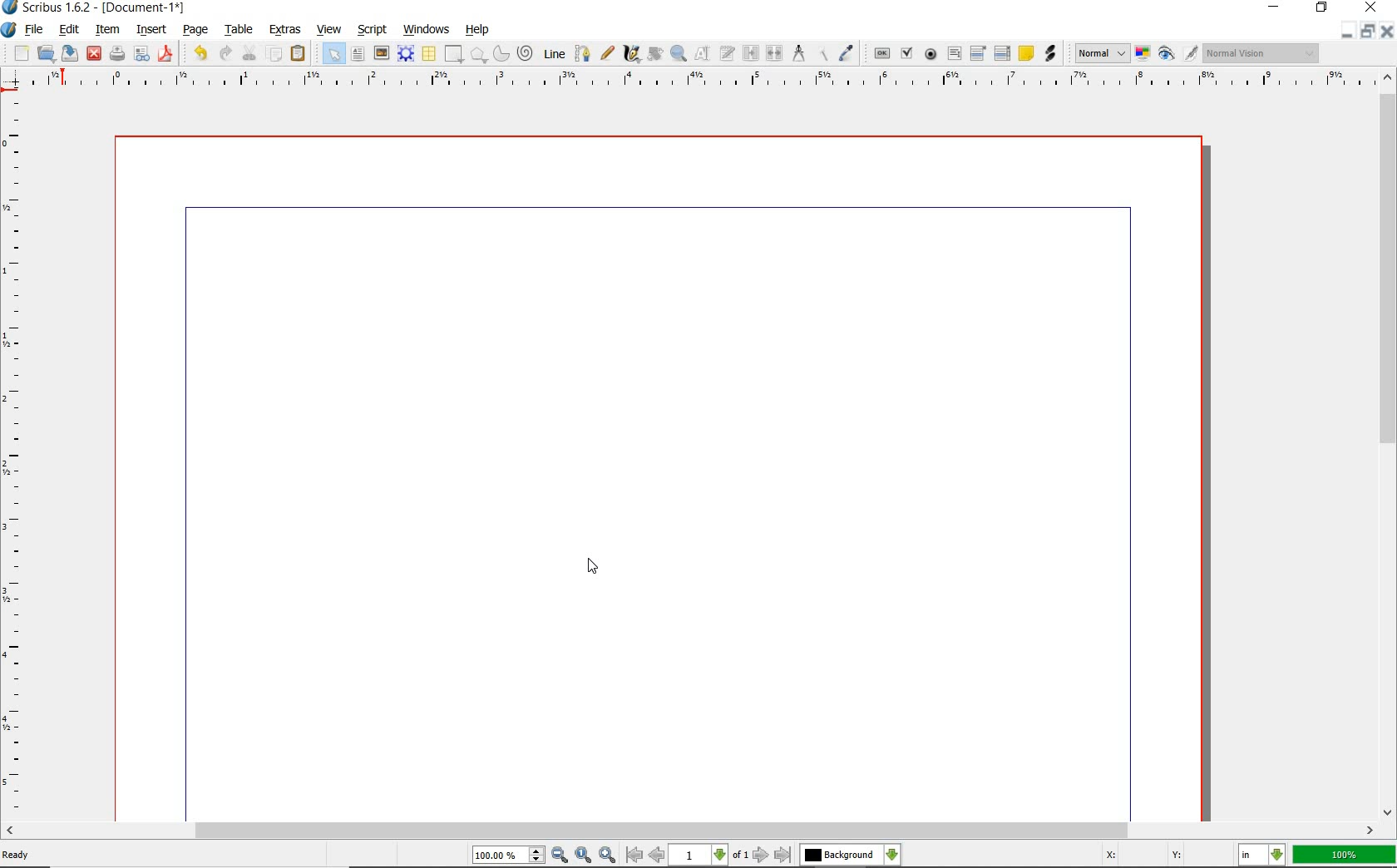  What do you see at coordinates (373, 30) in the screenshot?
I see `script` at bounding box center [373, 30].